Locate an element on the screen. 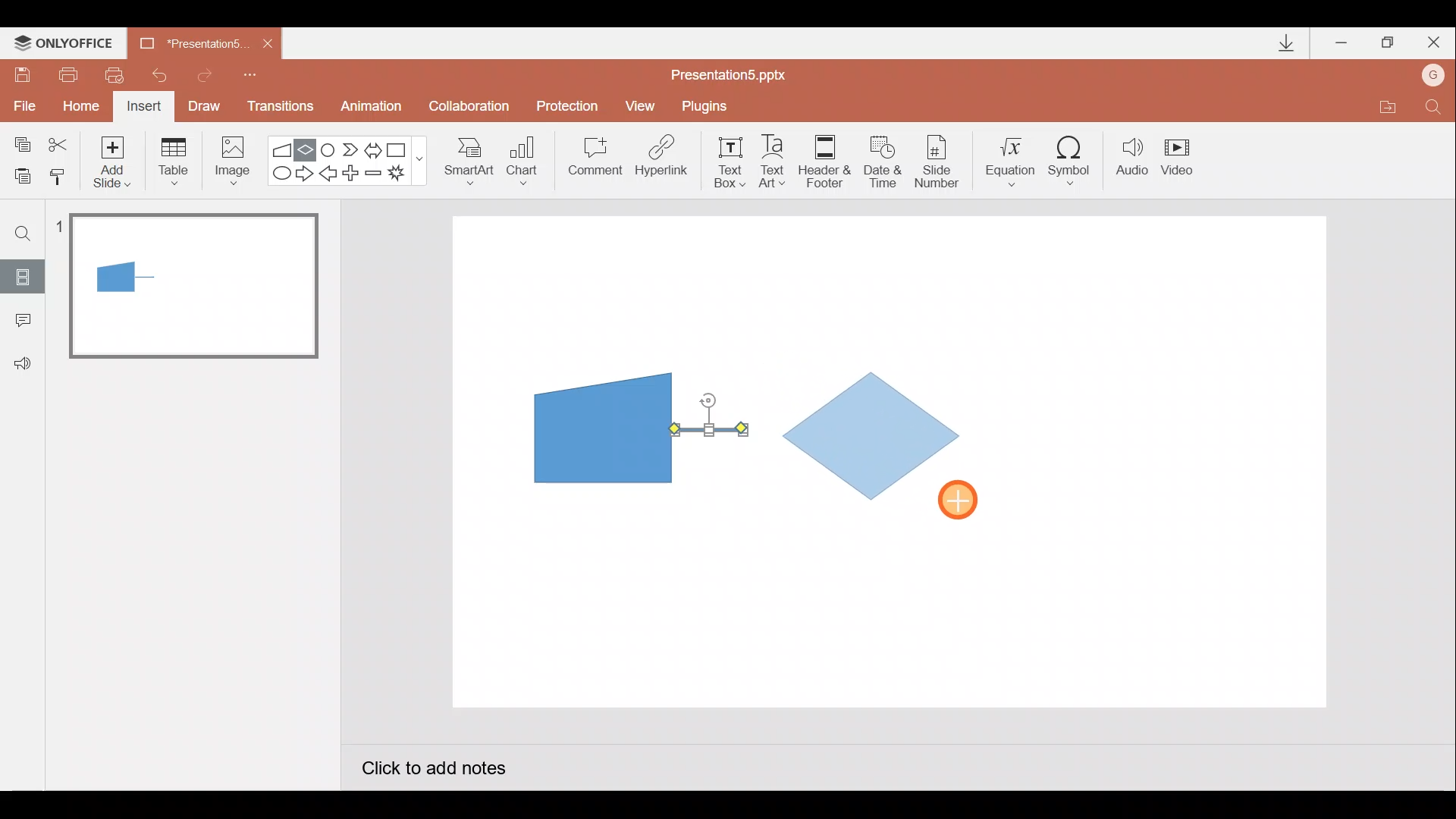 The image size is (1456, 819). Redo is located at coordinates (206, 73).